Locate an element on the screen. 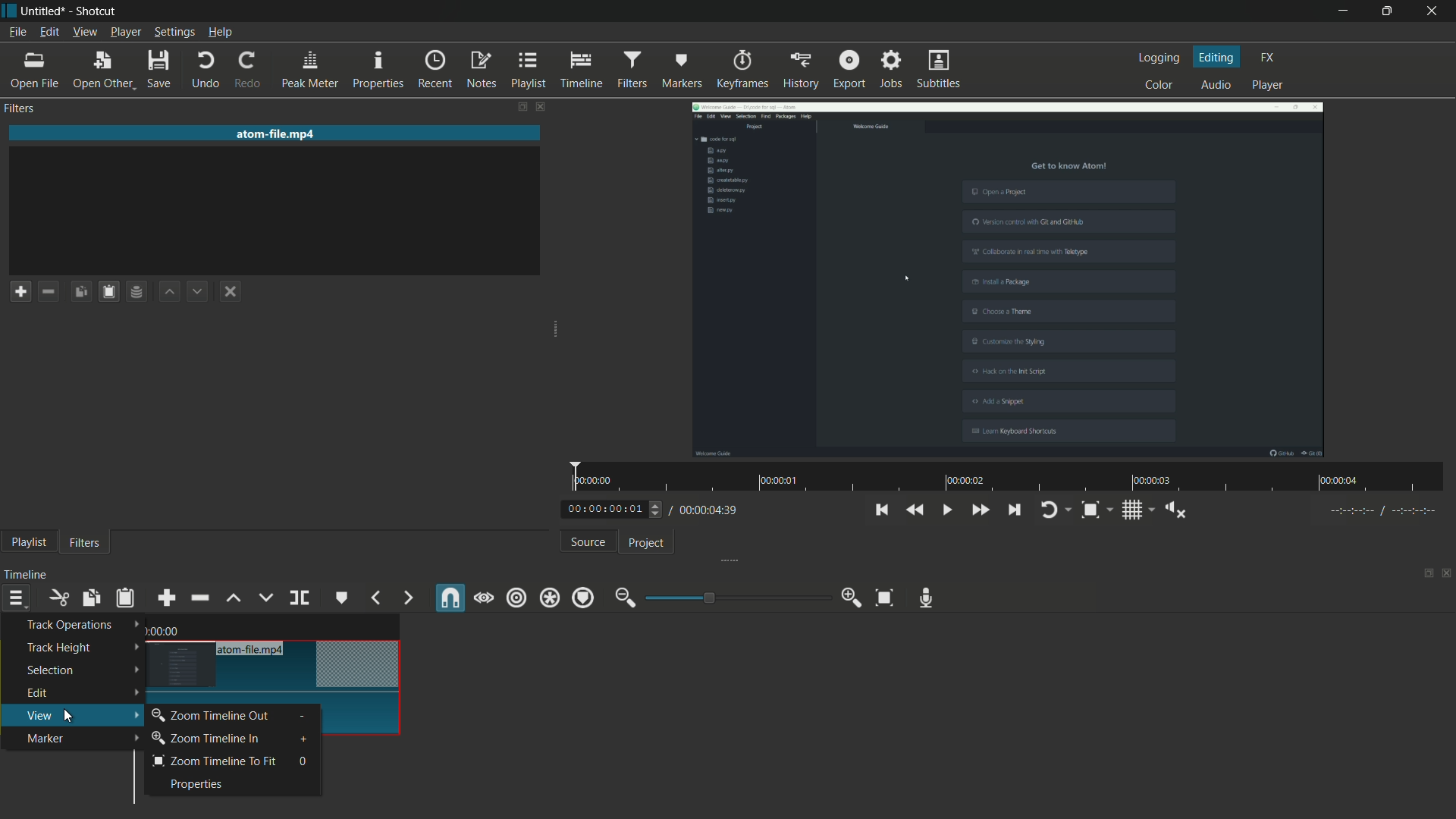  save filter set is located at coordinates (137, 291).